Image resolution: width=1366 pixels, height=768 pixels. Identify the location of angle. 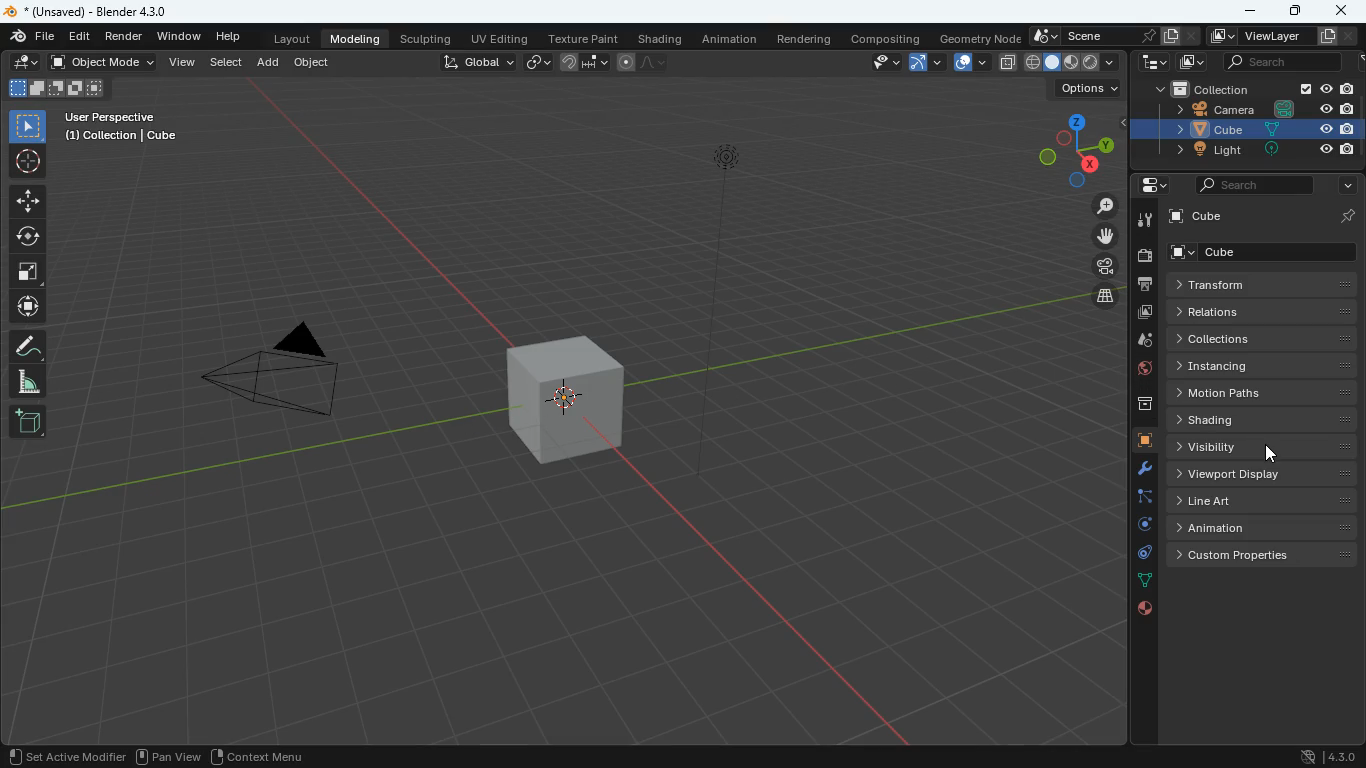
(26, 381).